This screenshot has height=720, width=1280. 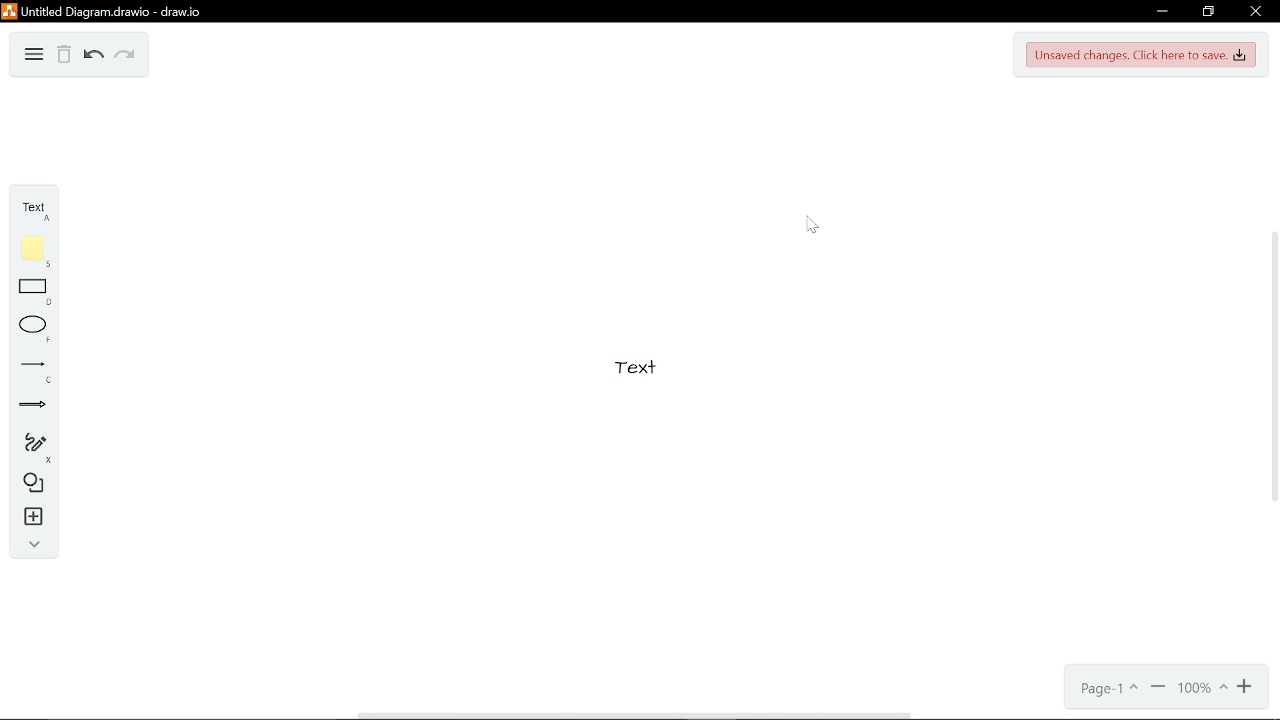 What do you see at coordinates (1202, 689) in the screenshot?
I see `Zoom` at bounding box center [1202, 689].